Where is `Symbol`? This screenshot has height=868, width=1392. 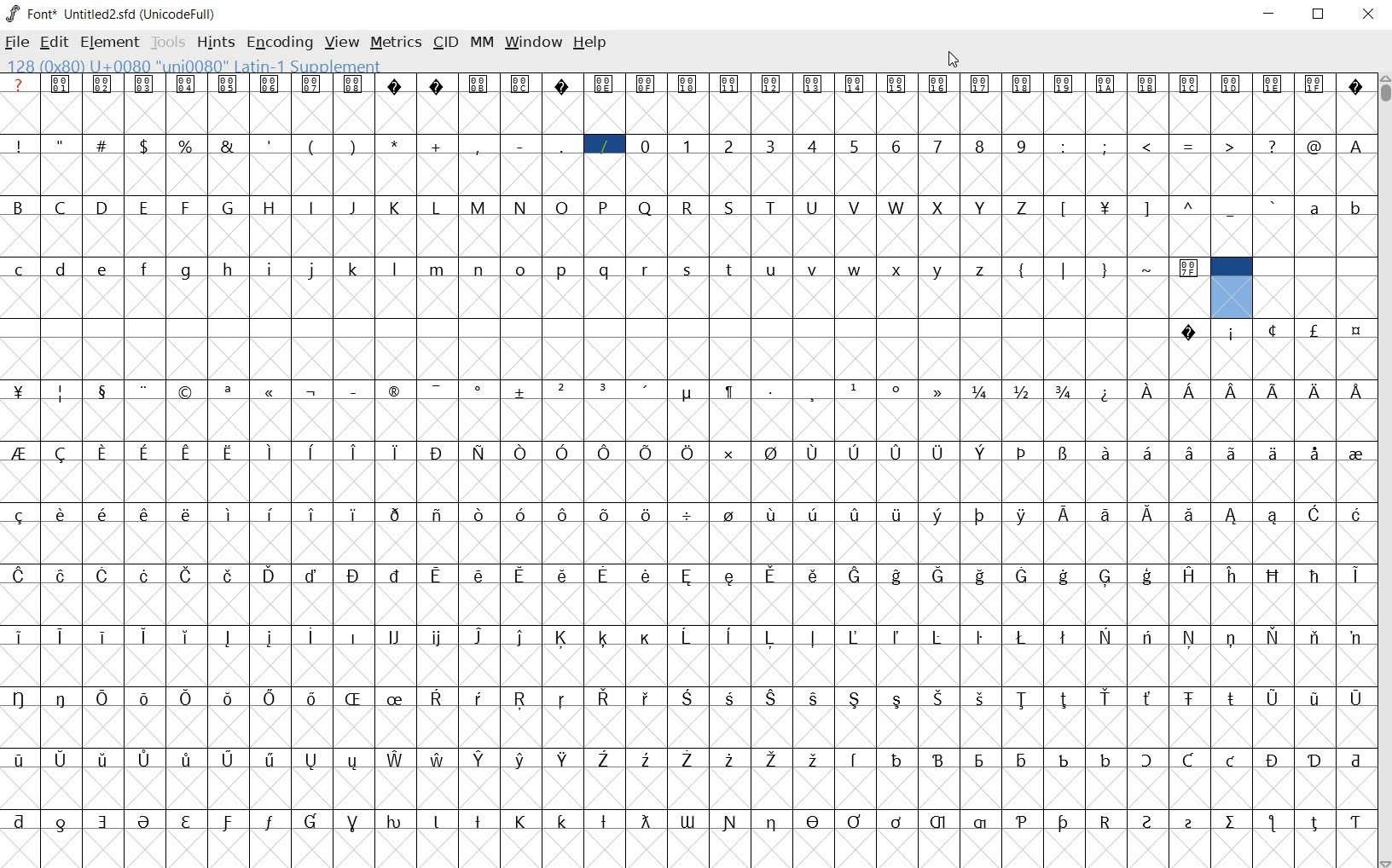 Symbol is located at coordinates (397, 575).